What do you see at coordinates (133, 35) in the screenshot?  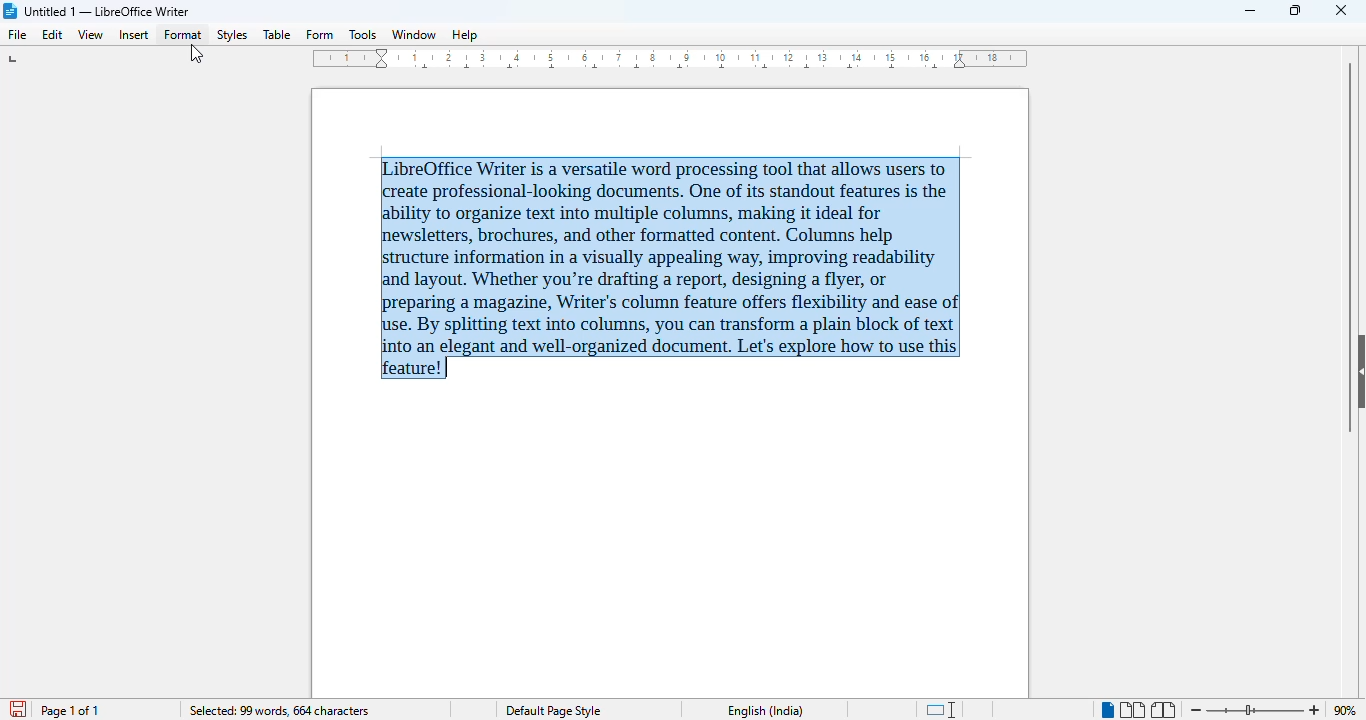 I see `insert` at bounding box center [133, 35].